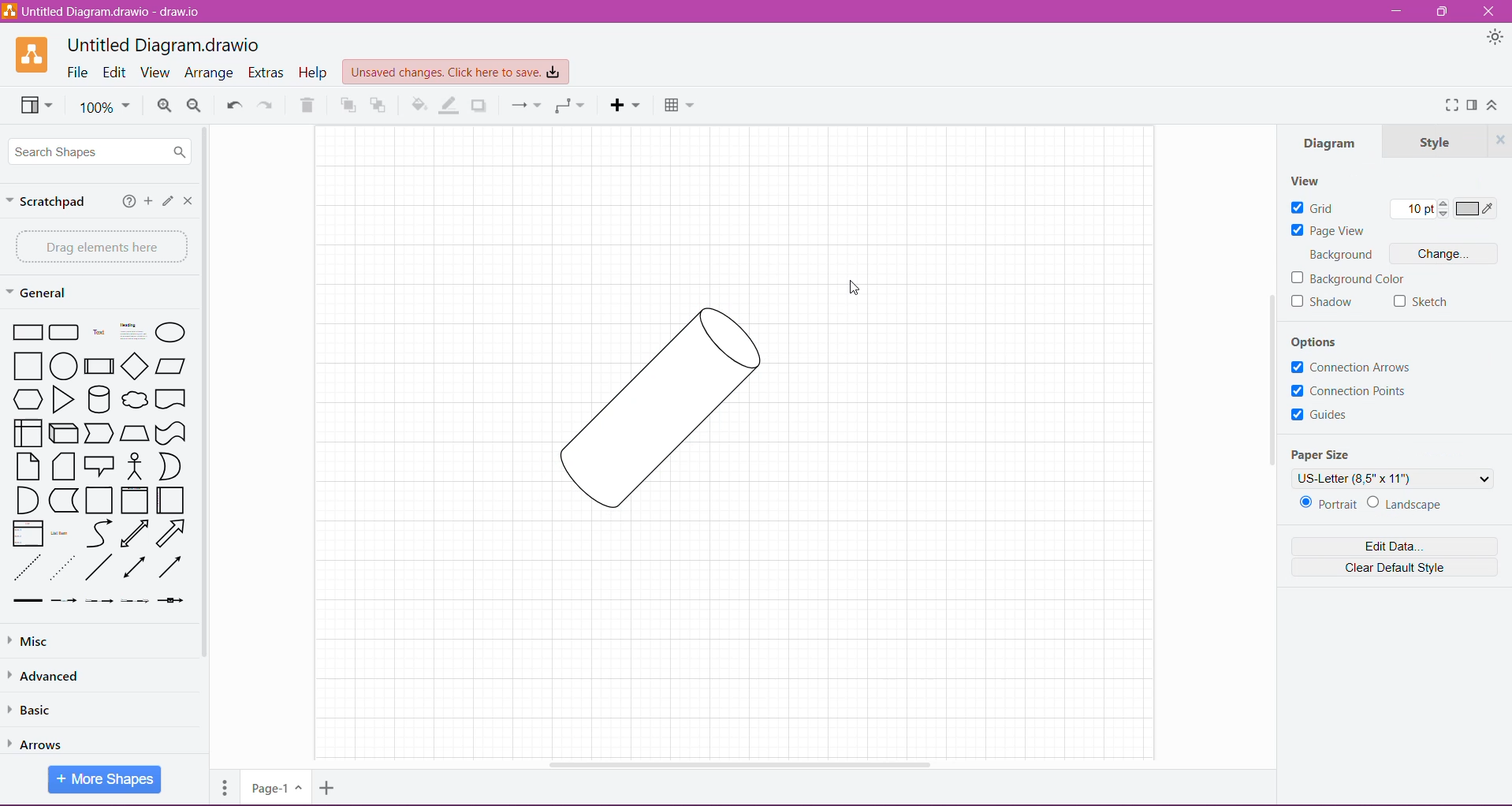  I want to click on Insert Page, so click(326, 790).